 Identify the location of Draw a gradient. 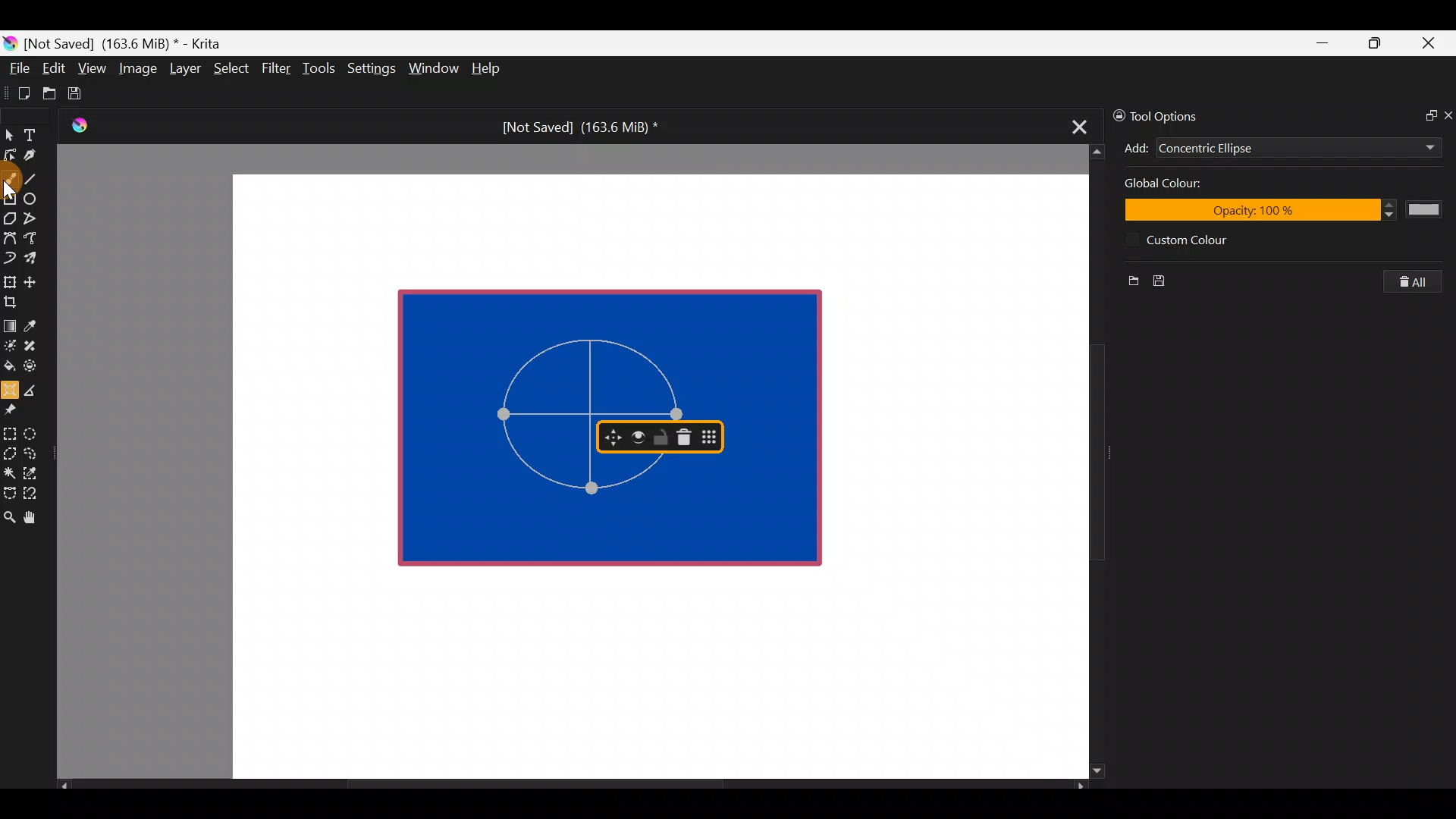
(9, 322).